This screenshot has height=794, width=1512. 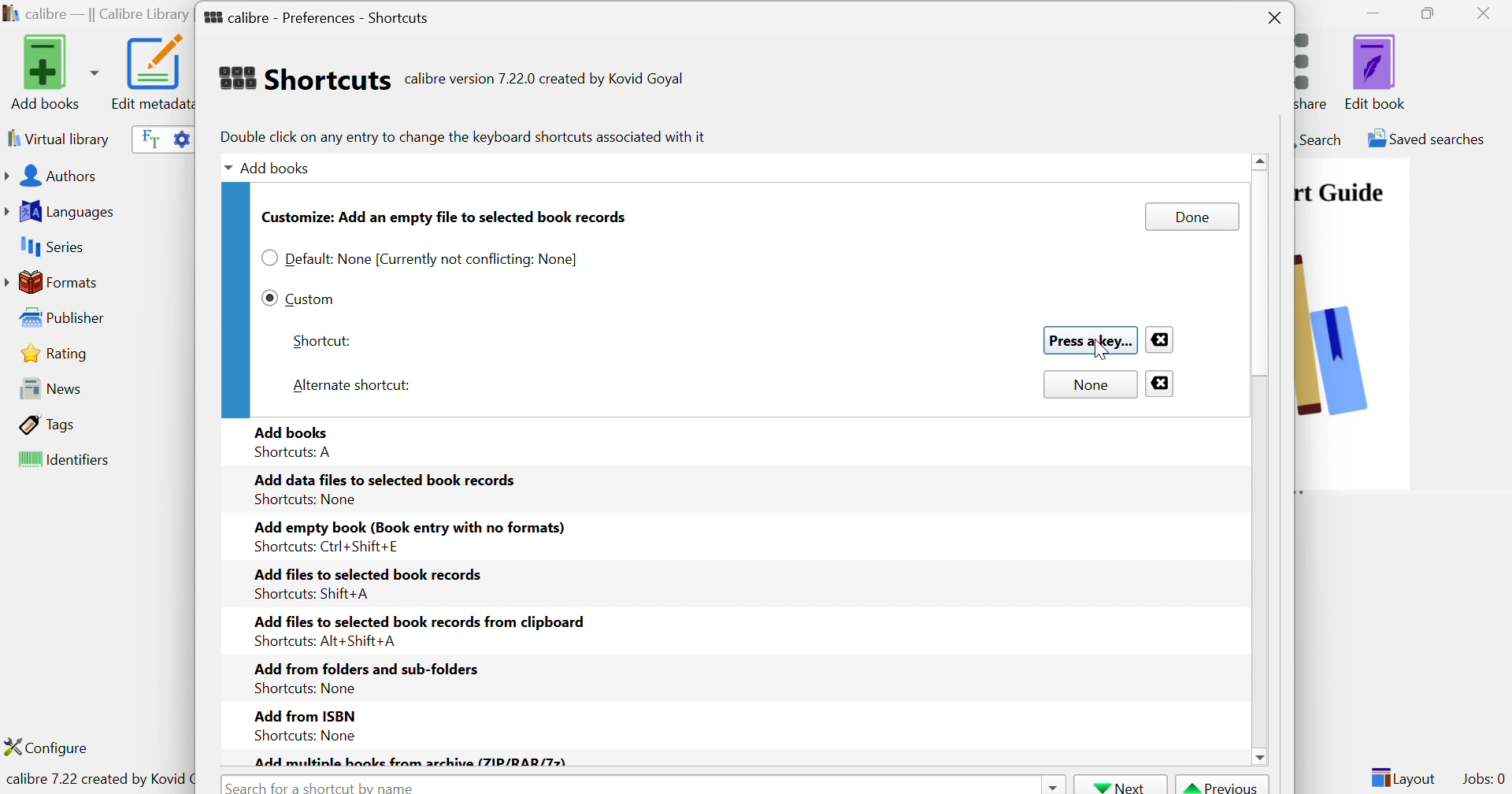 I want to click on Close, so click(x=1161, y=384).